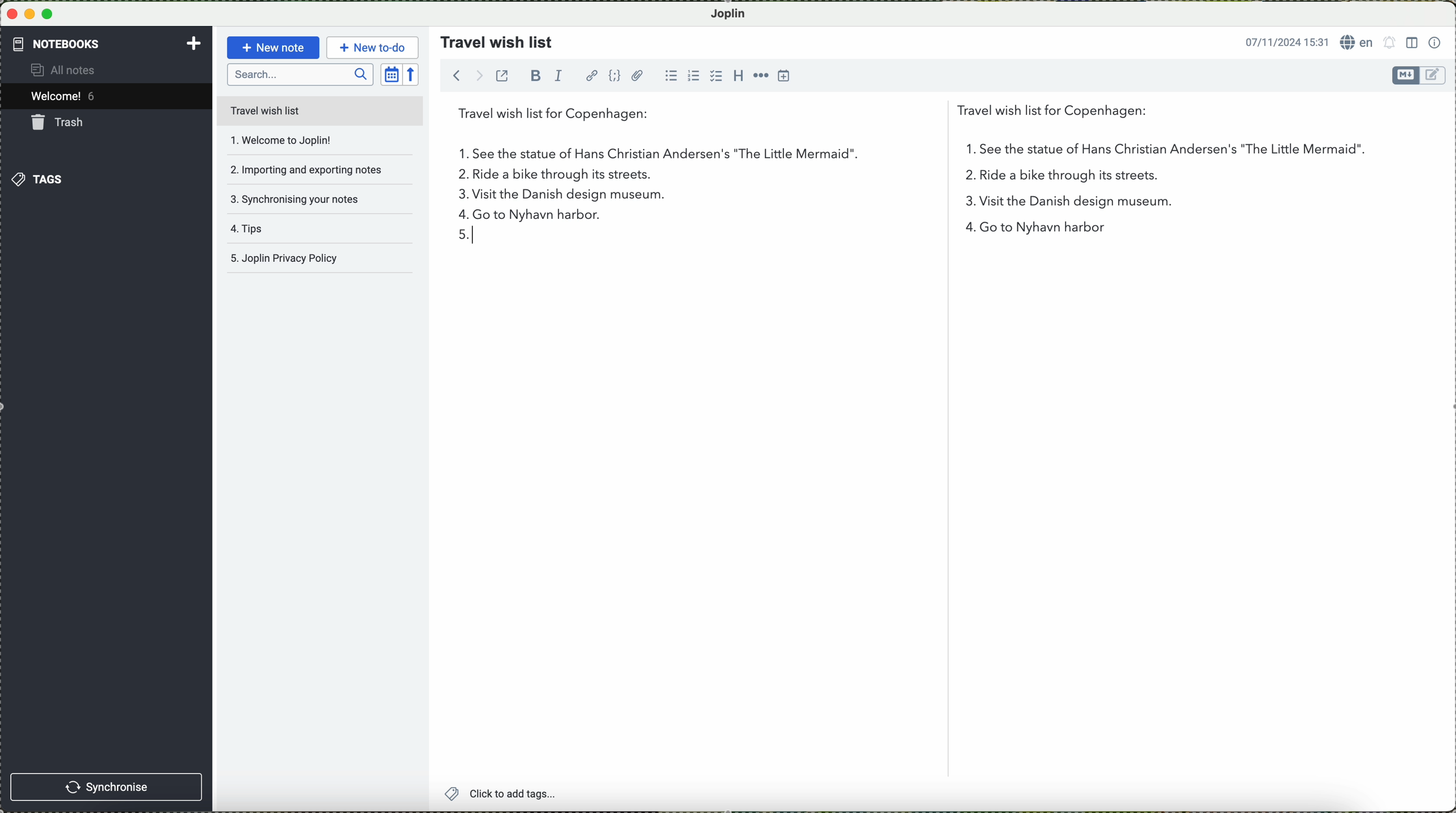 Image resolution: width=1456 pixels, height=813 pixels. I want to click on reverse sort order, so click(414, 73).